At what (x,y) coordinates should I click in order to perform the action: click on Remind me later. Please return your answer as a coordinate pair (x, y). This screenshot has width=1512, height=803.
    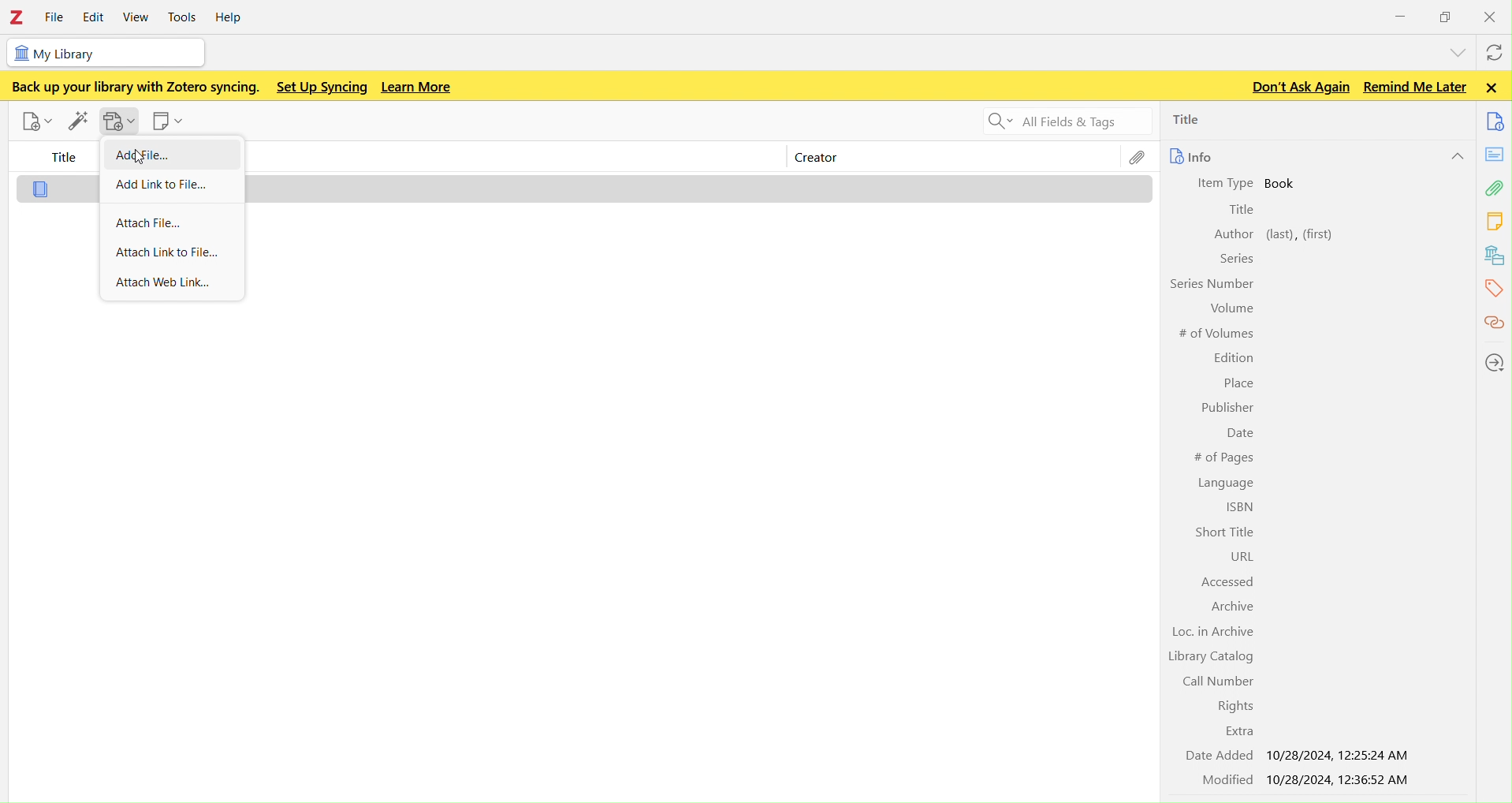
    Looking at the image, I should click on (1415, 86).